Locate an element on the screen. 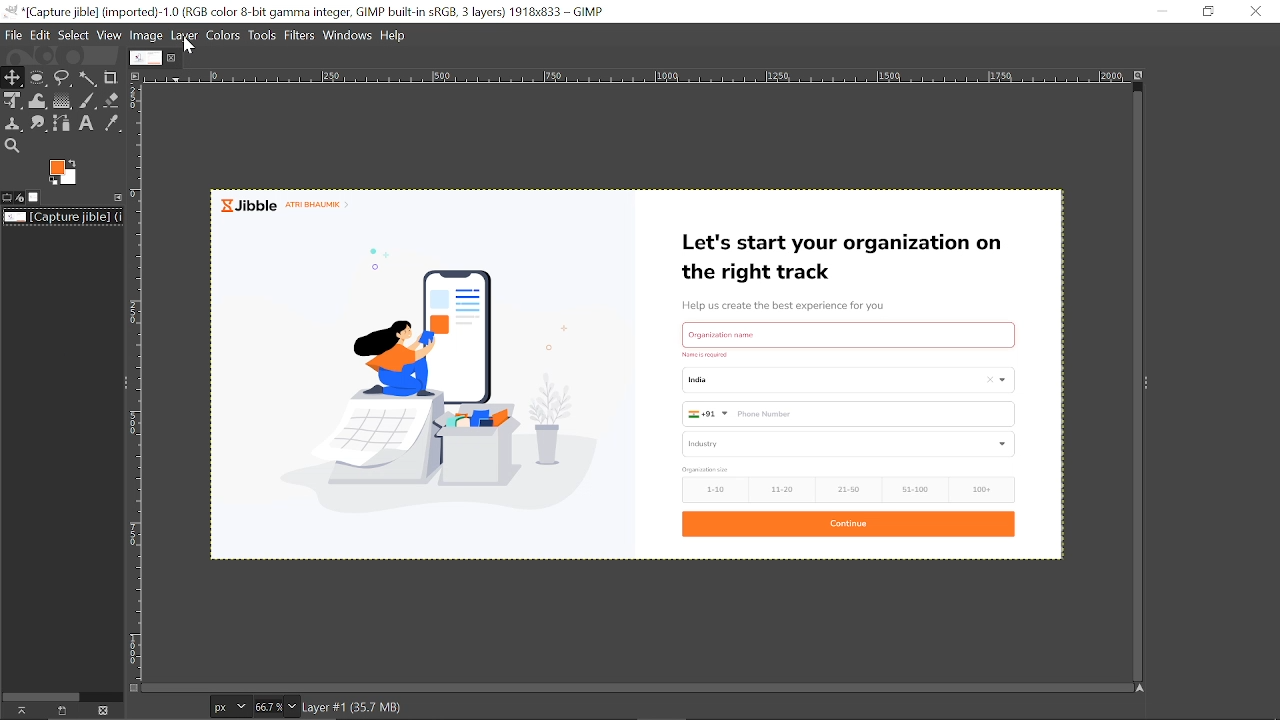 The height and width of the screenshot is (720, 1280). Zoom image when window size changes is located at coordinates (1141, 78).